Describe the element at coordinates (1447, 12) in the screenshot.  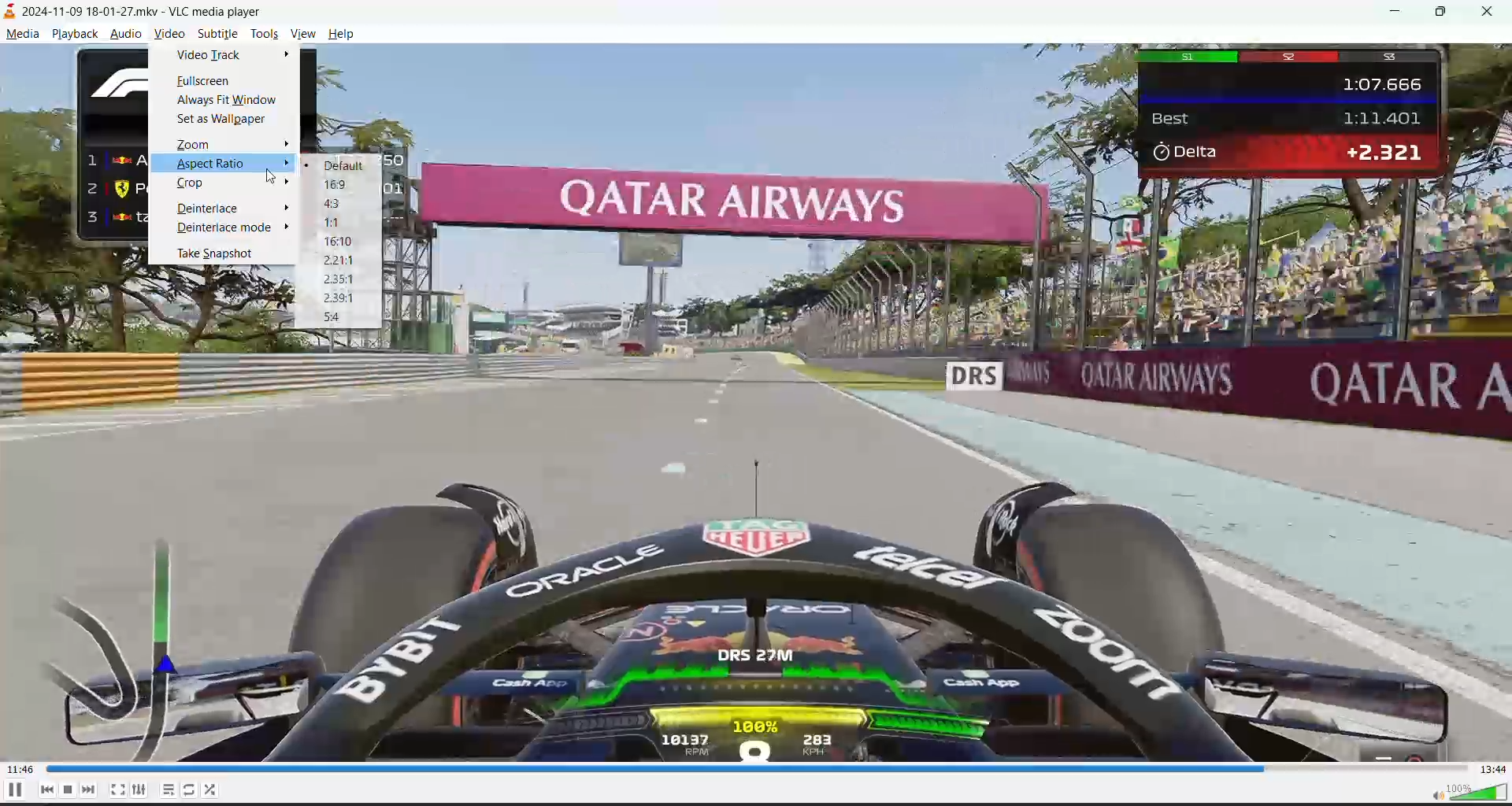
I see `maximize` at that location.